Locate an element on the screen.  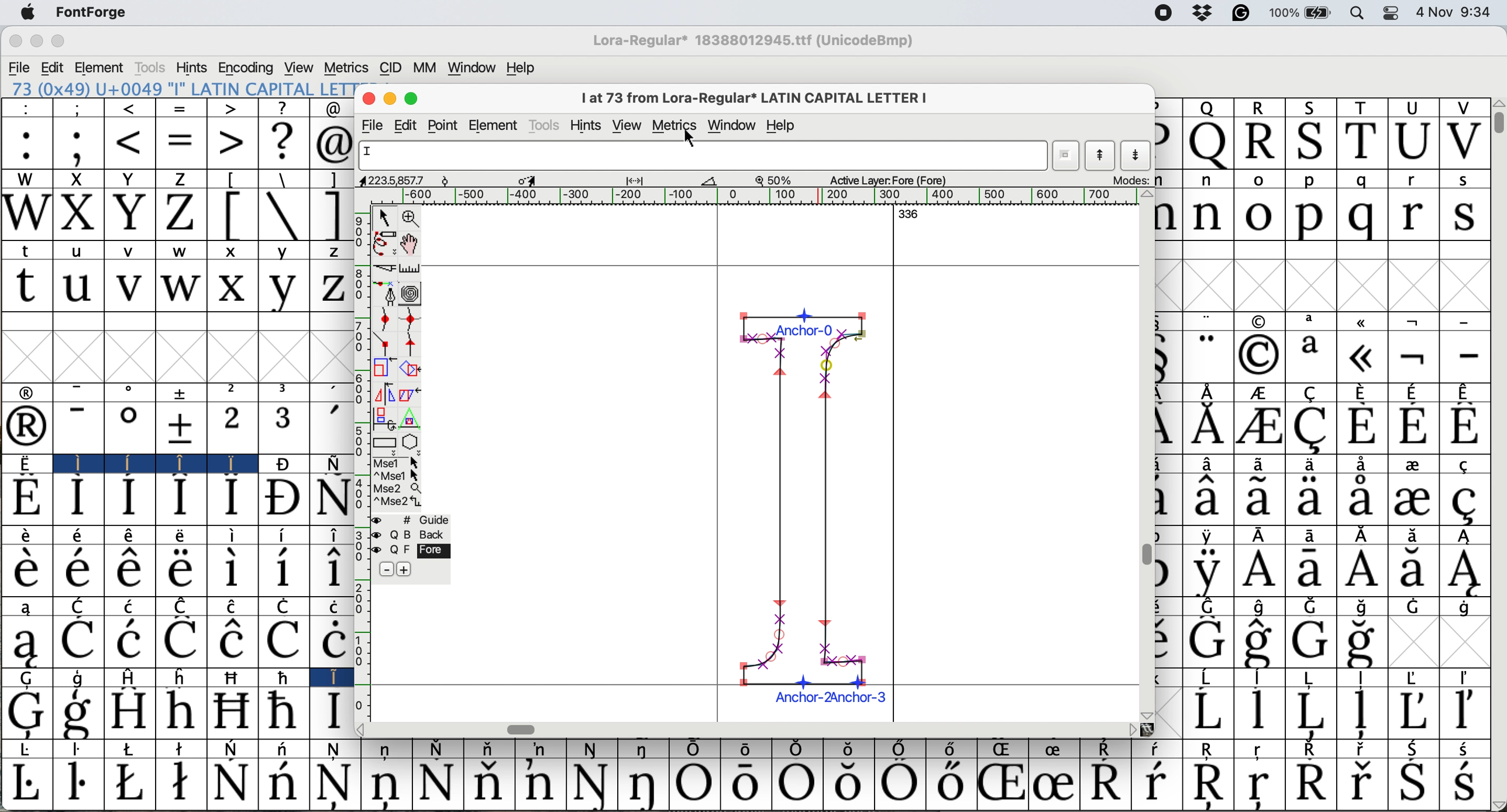
g is located at coordinates (80, 678).